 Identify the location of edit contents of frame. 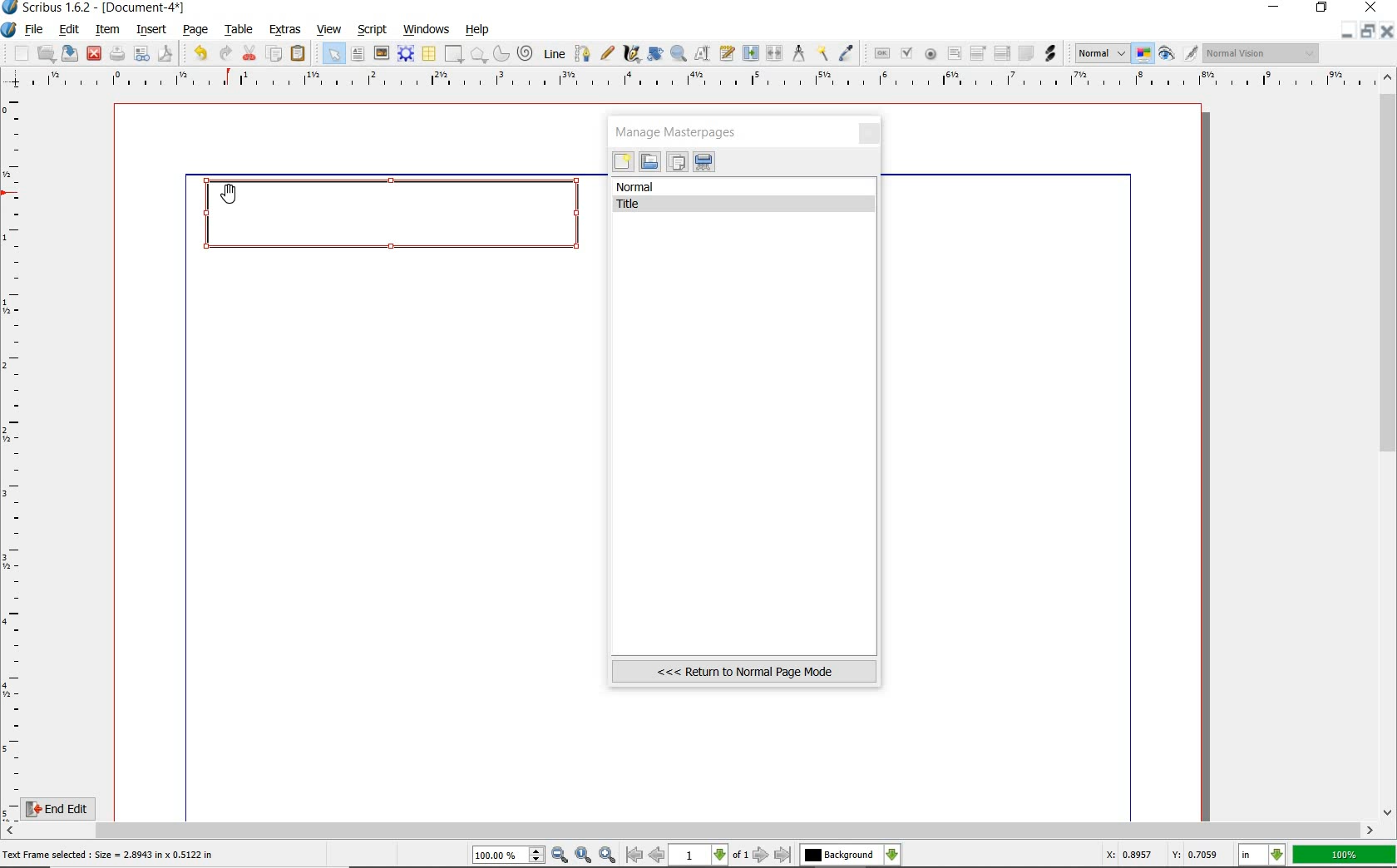
(704, 55).